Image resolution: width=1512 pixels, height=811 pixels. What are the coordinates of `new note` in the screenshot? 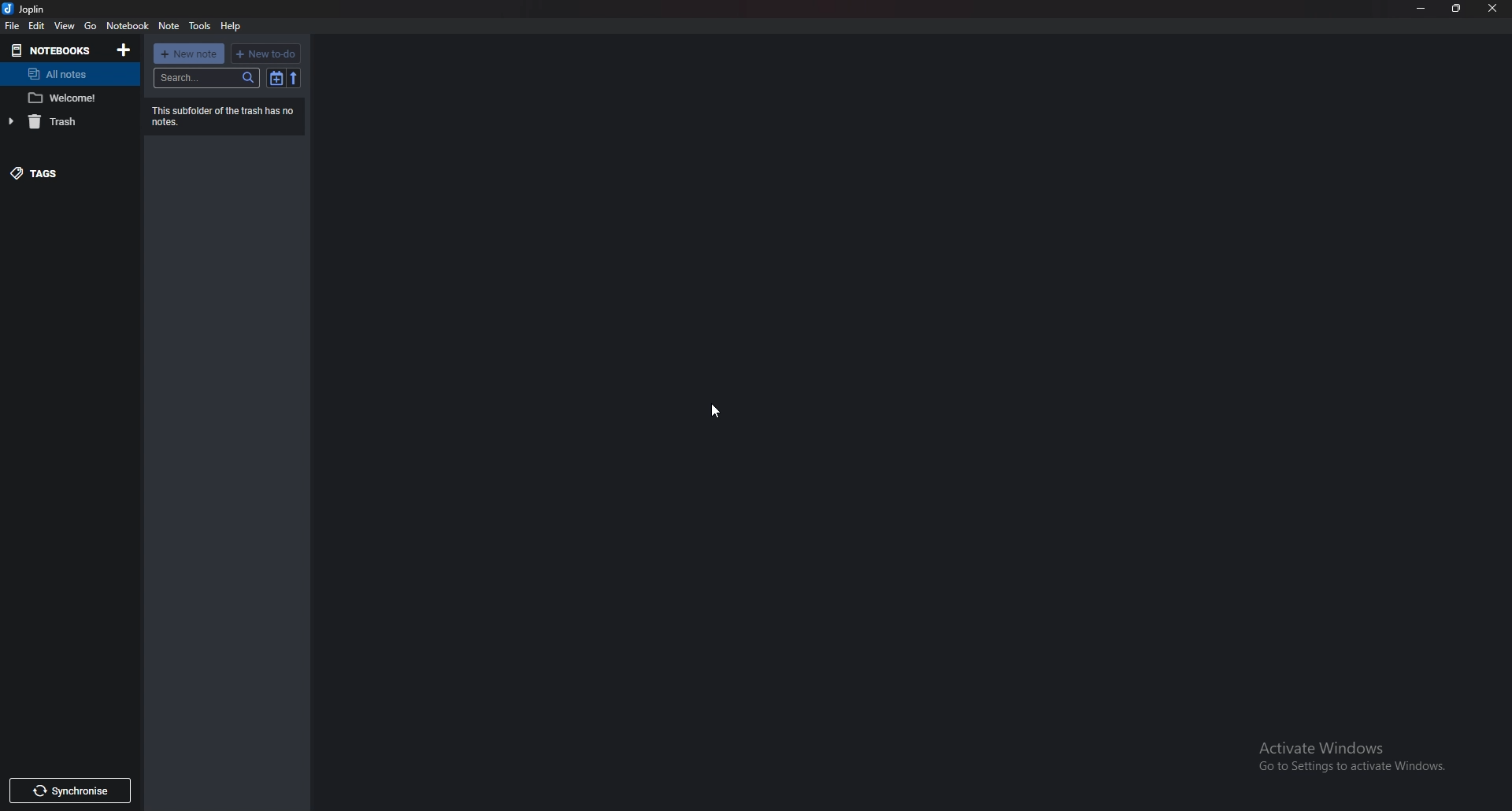 It's located at (190, 53).